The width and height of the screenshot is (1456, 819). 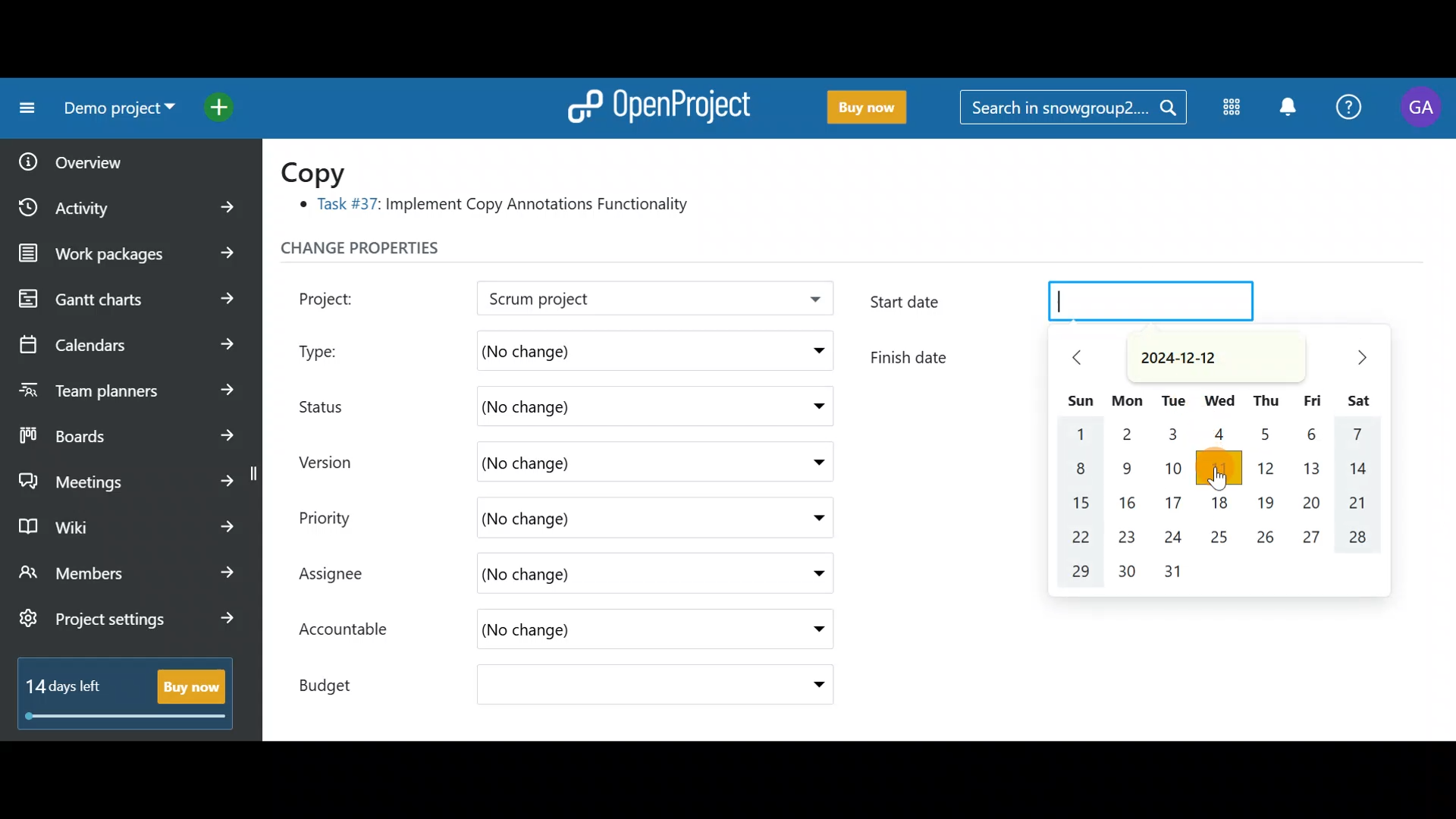 I want to click on Mon, so click(x=1128, y=402).